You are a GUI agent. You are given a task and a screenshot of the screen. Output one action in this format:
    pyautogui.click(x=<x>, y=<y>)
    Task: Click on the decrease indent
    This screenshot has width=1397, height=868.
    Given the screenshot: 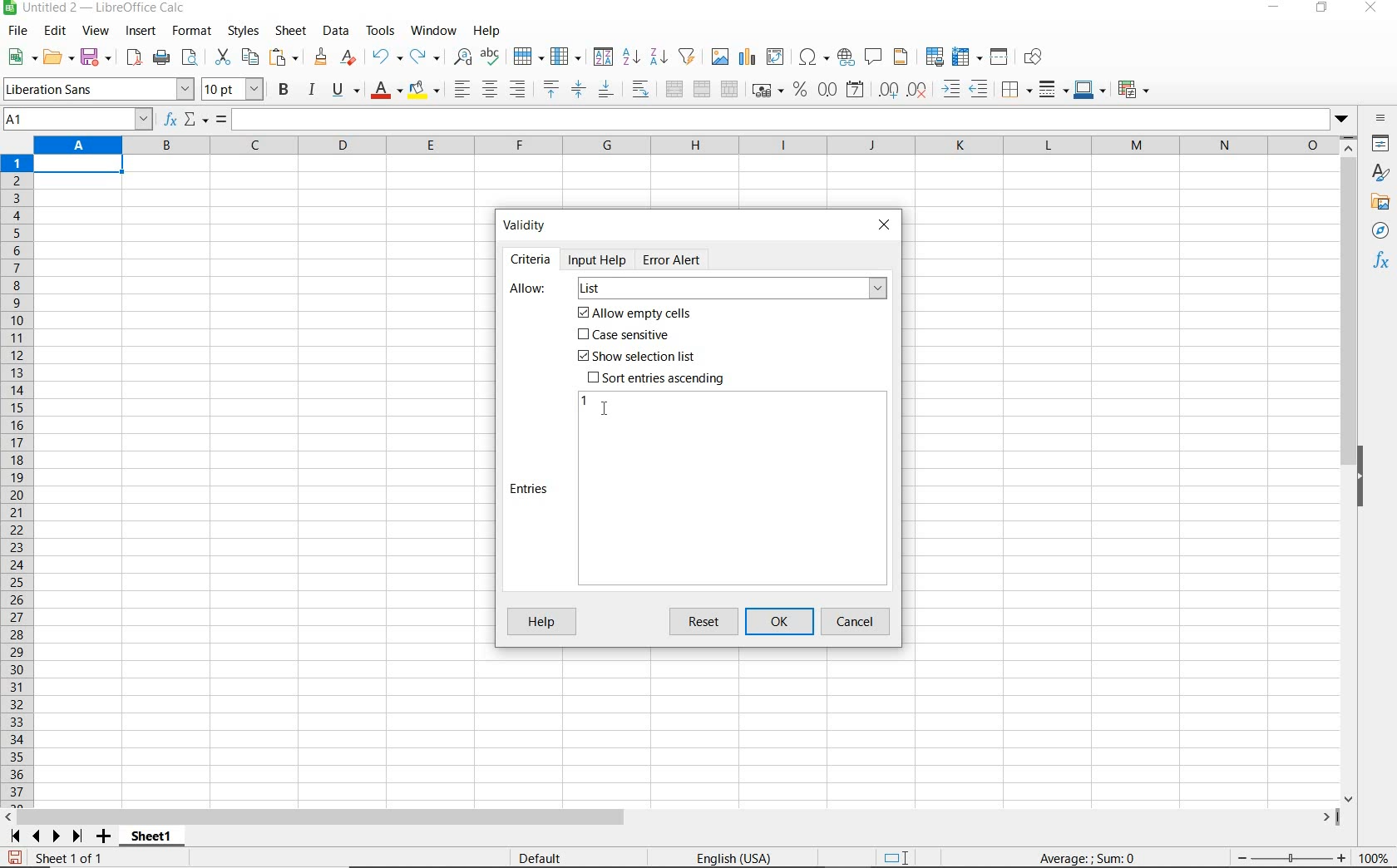 What is the action you would take?
    pyautogui.click(x=983, y=89)
    